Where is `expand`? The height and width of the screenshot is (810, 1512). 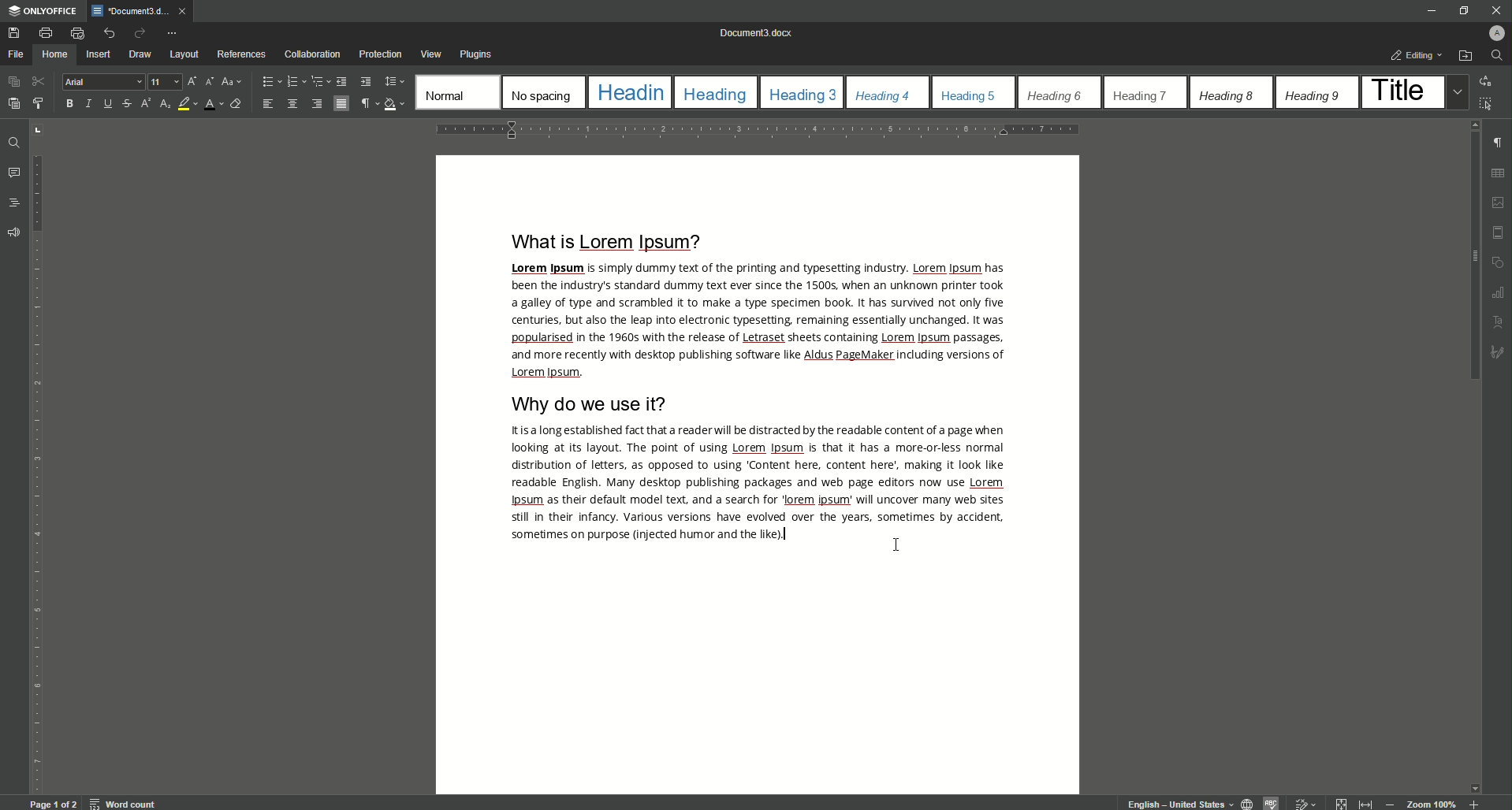 expand is located at coordinates (1364, 804).